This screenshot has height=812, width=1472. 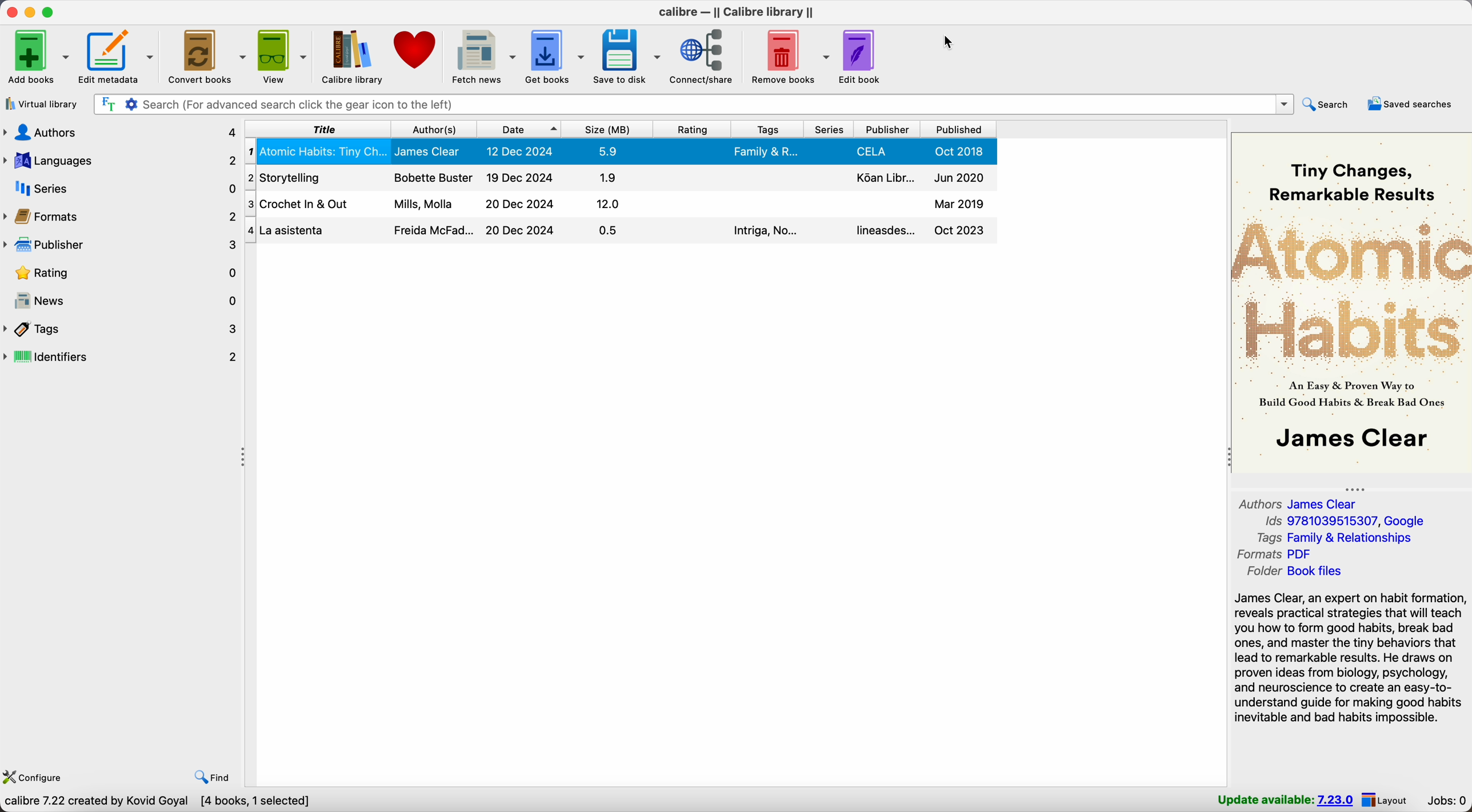 What do you see at coordinates (769, 128) in the screenshot?
I see `tags` at bounding box center [769, 128].